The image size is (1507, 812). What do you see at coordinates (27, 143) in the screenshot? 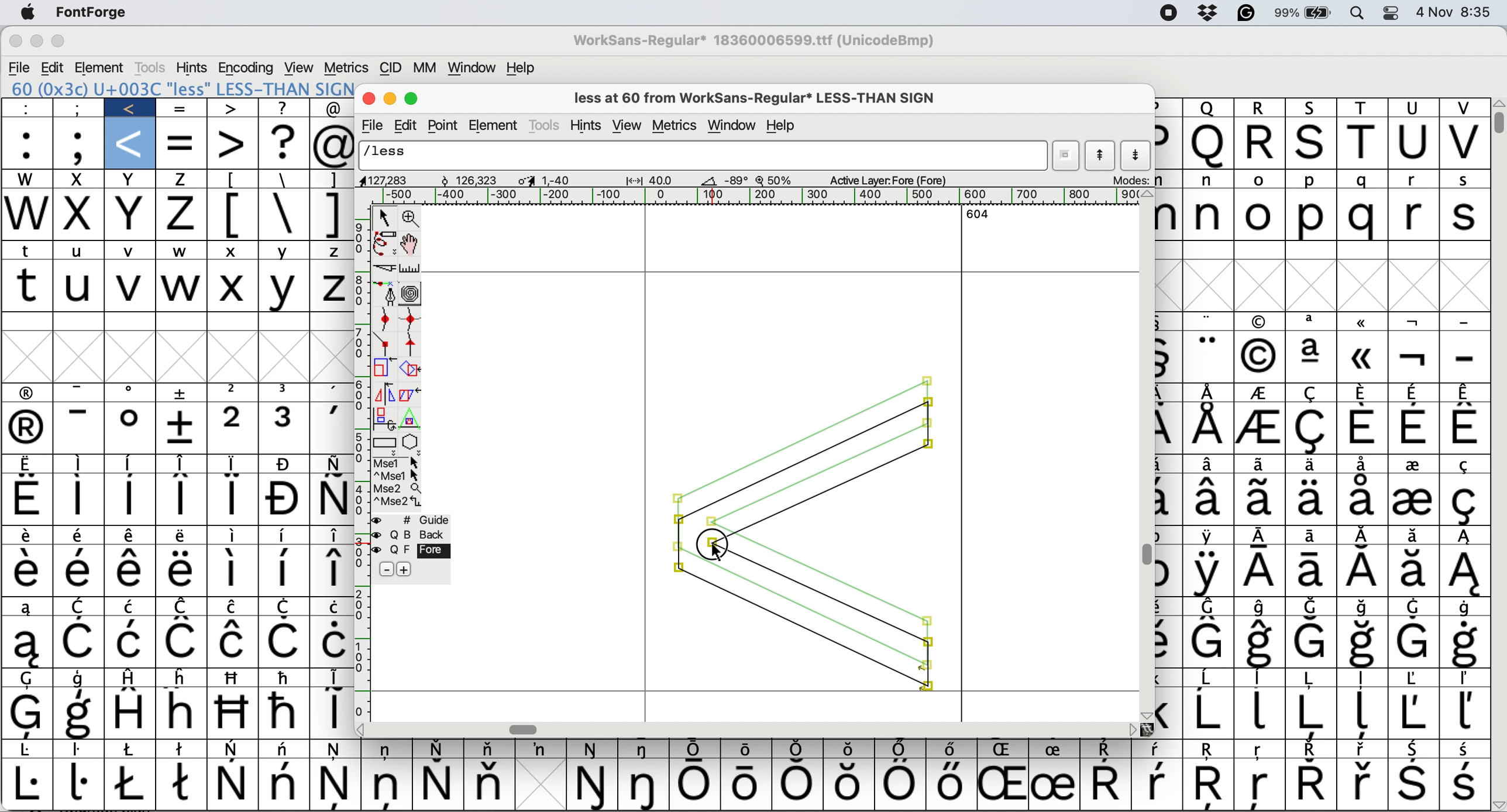
I see `:` at bounding box center [27, 143].